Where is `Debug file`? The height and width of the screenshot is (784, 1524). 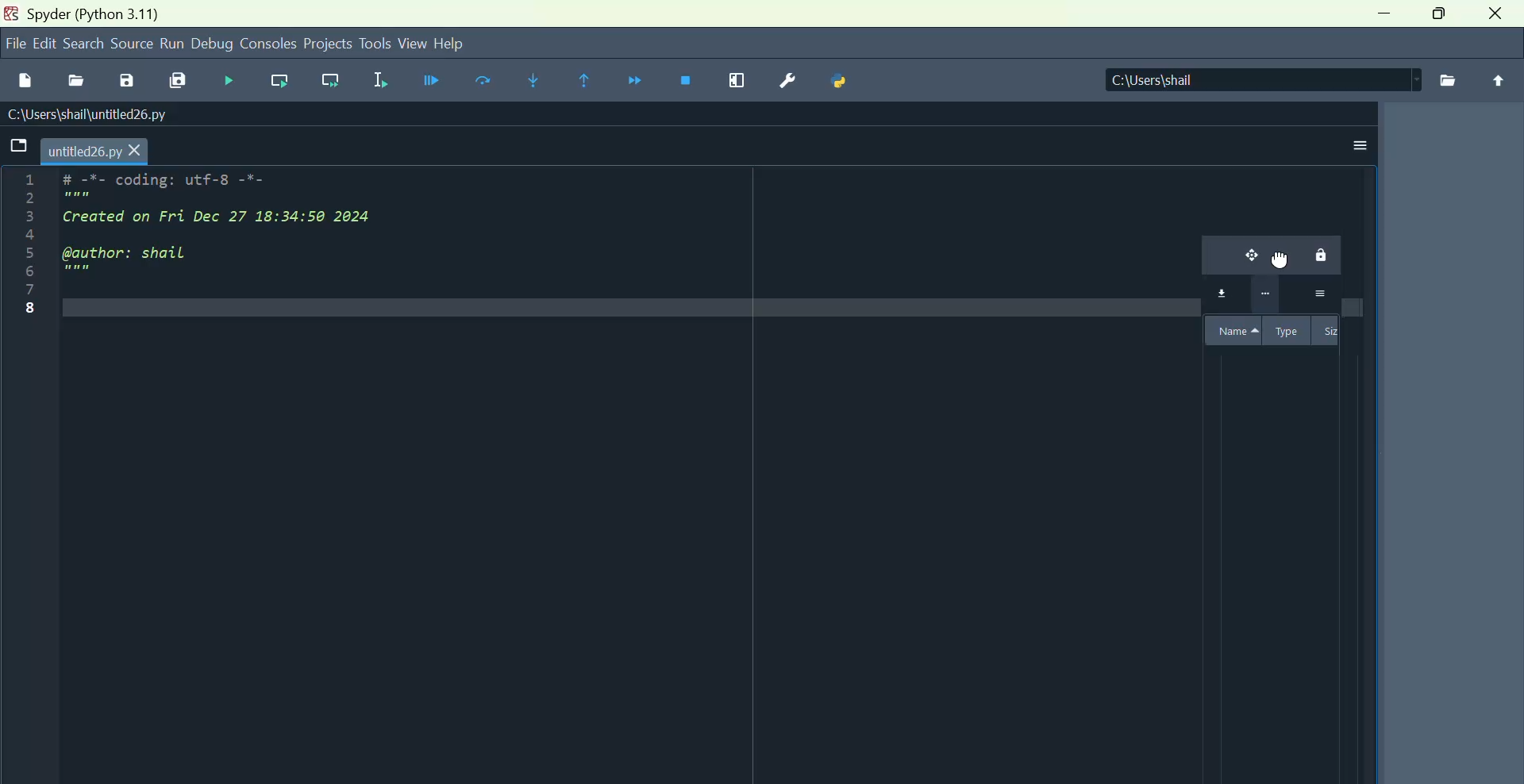
Debug file is located at coordinates (427, 81).